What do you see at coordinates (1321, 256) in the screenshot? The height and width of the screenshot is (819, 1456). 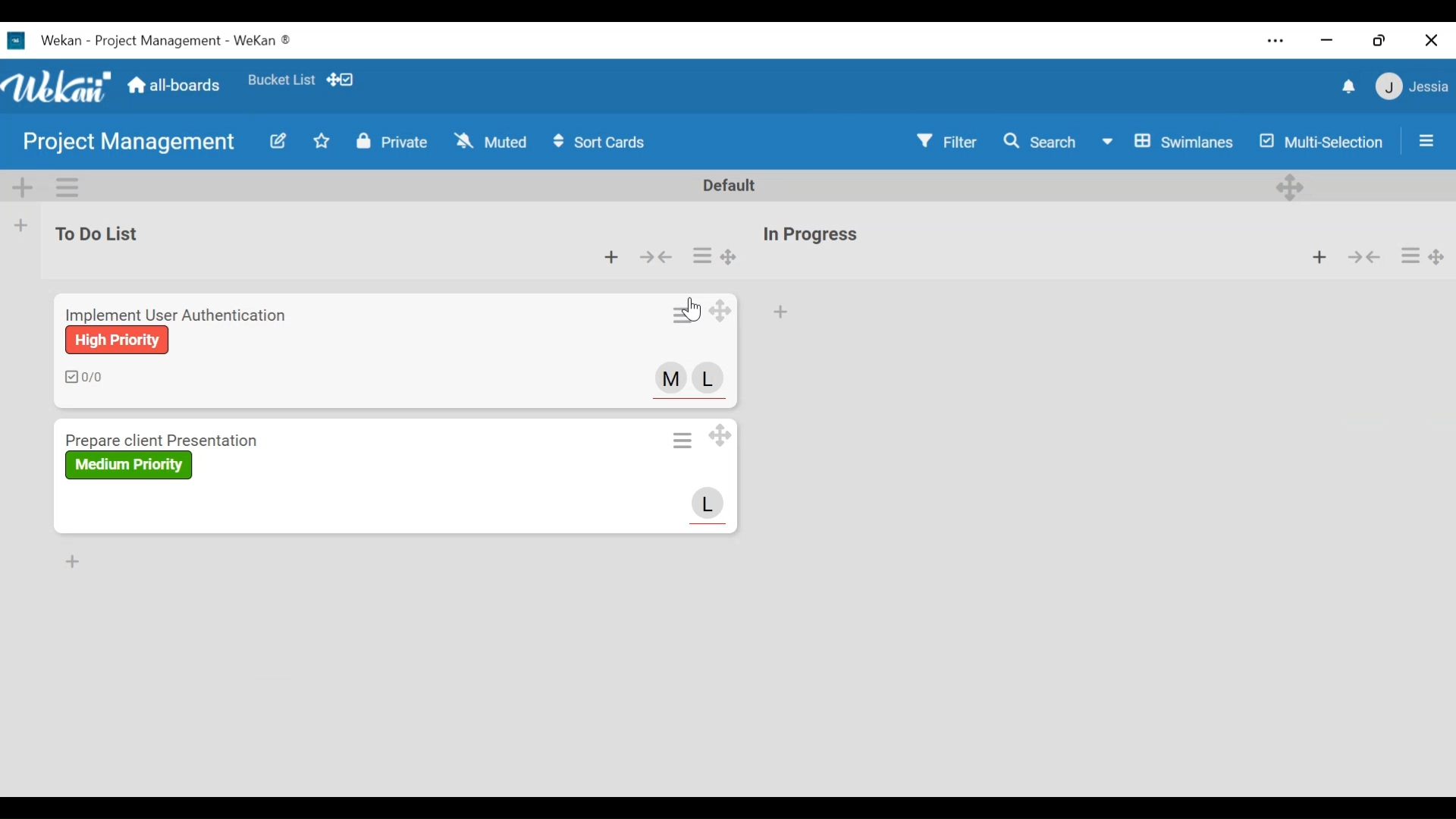 I see `Add card to top of the list` at bounding box center [1321, 256].